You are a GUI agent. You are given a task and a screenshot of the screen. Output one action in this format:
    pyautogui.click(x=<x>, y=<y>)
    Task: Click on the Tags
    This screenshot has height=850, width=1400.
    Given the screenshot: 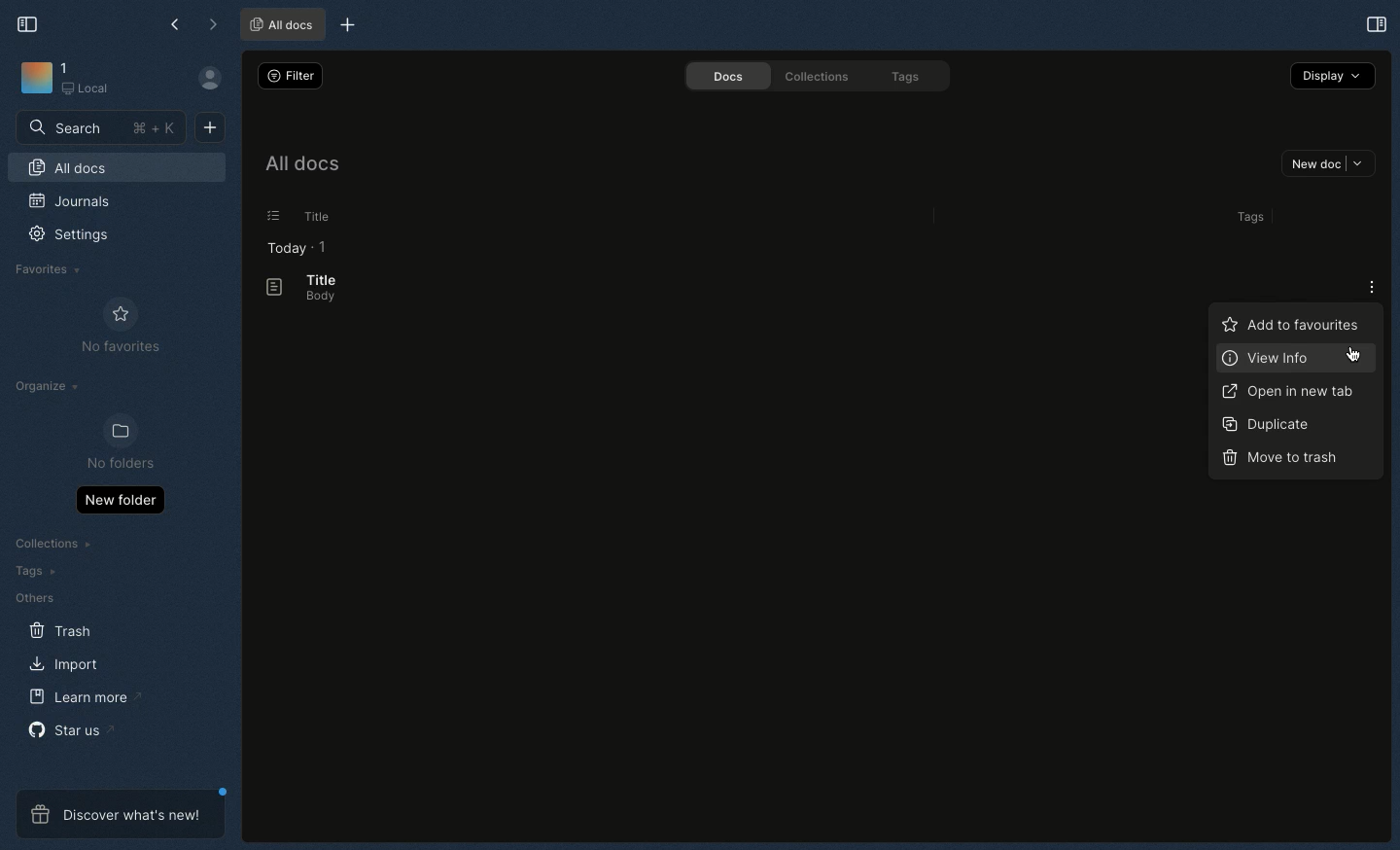 What is the action you would take?
    pyautogui.click(x=31, y=571)
    